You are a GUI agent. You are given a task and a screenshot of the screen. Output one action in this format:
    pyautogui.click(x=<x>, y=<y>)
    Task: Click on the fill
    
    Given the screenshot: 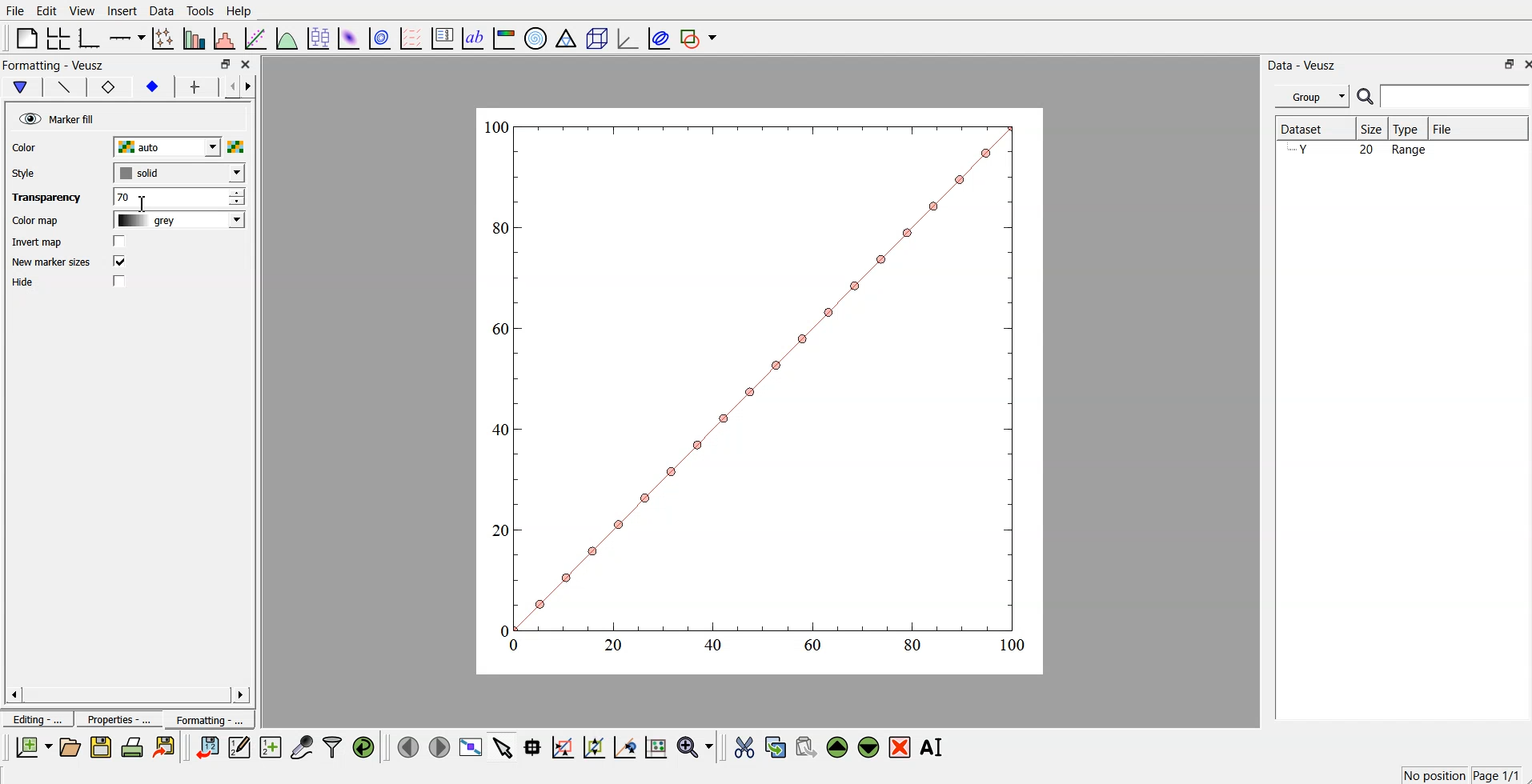 What is the action you would take?
    pyautogui.click(x=151, y=89)
    